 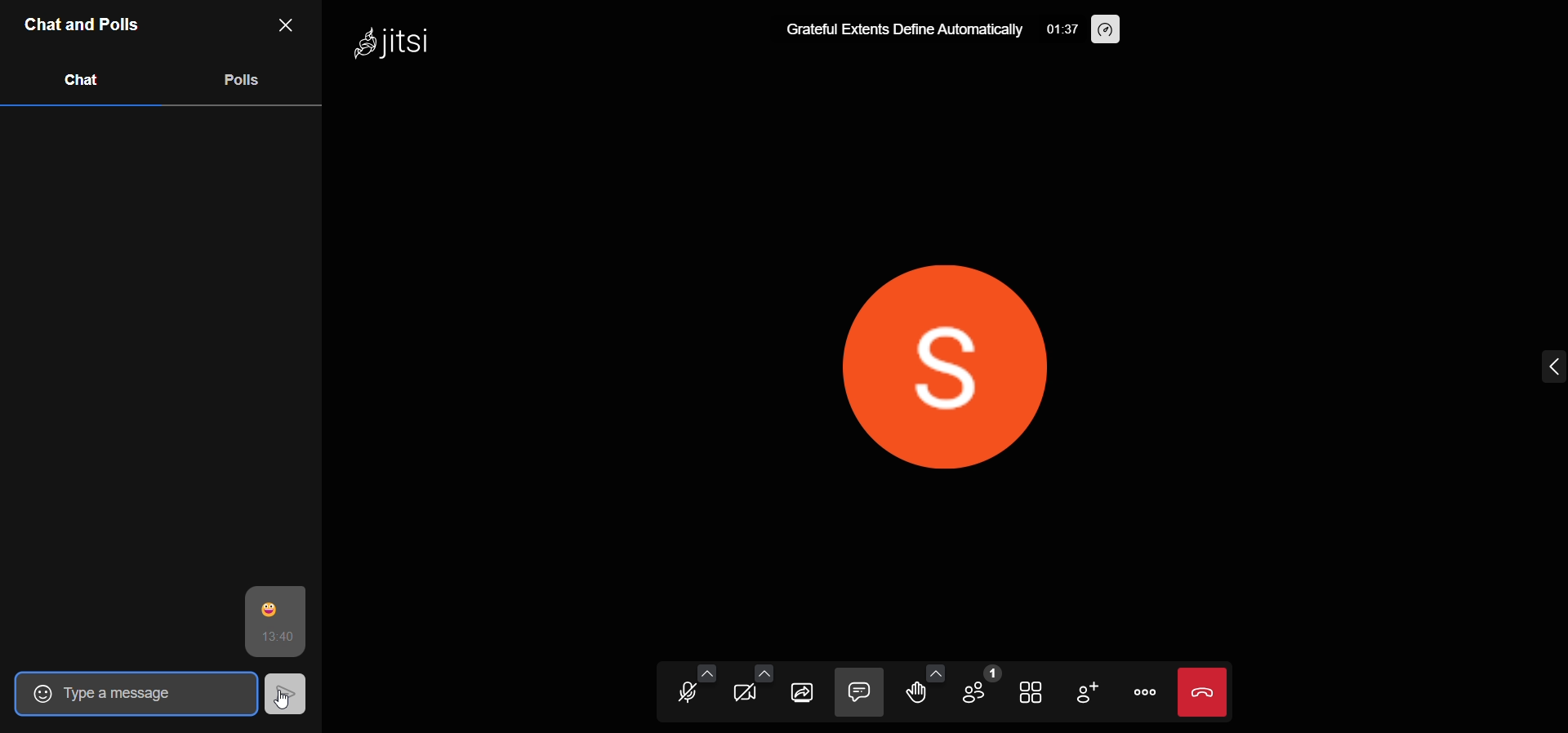 What do you see at coordinates (751, 695) in the screenshot?
I see `video` at bounding box center [751, 695].